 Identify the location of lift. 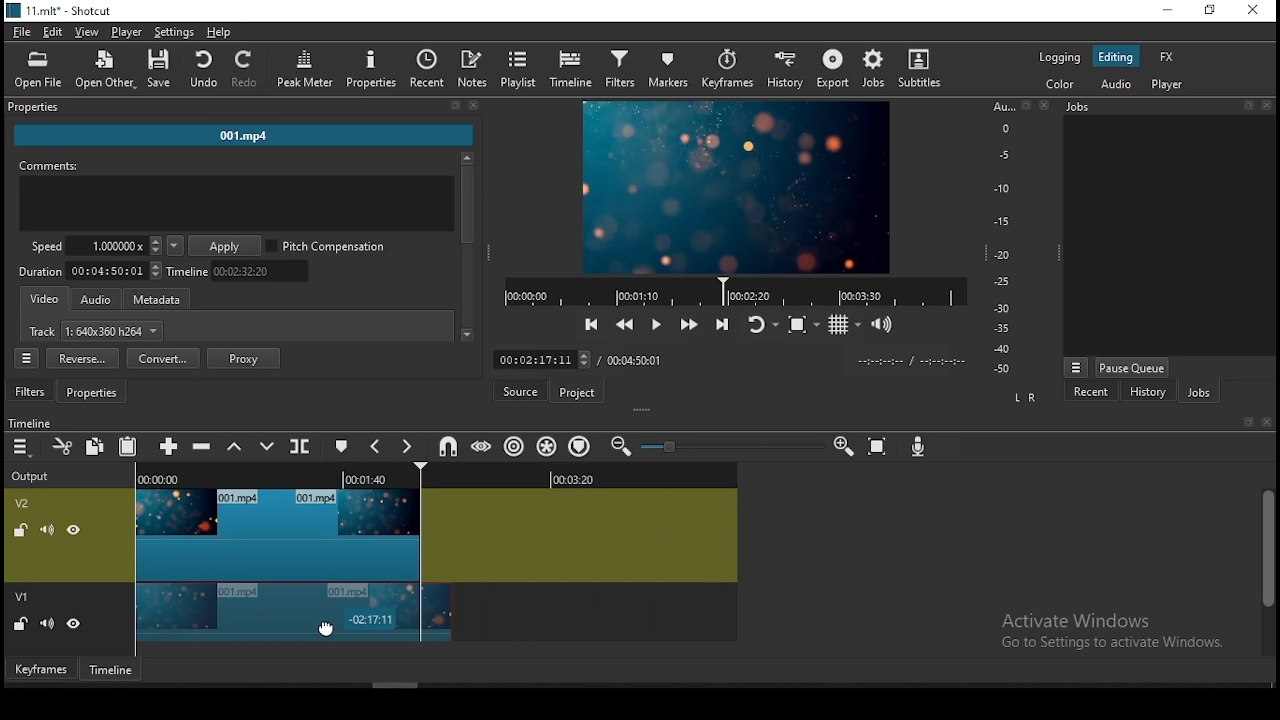
(232, 447).